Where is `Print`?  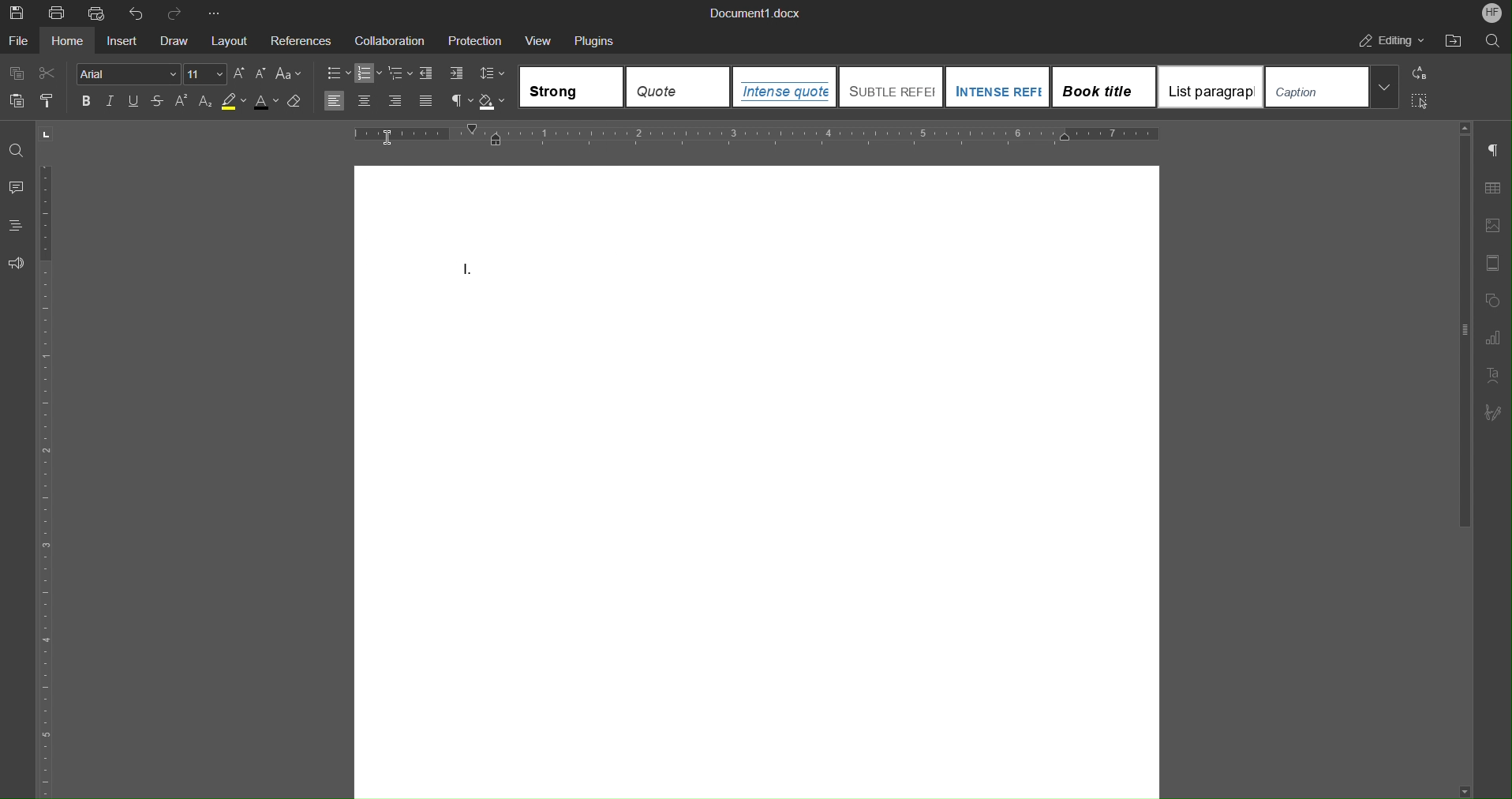 Print is located at coordinates (59, 13).